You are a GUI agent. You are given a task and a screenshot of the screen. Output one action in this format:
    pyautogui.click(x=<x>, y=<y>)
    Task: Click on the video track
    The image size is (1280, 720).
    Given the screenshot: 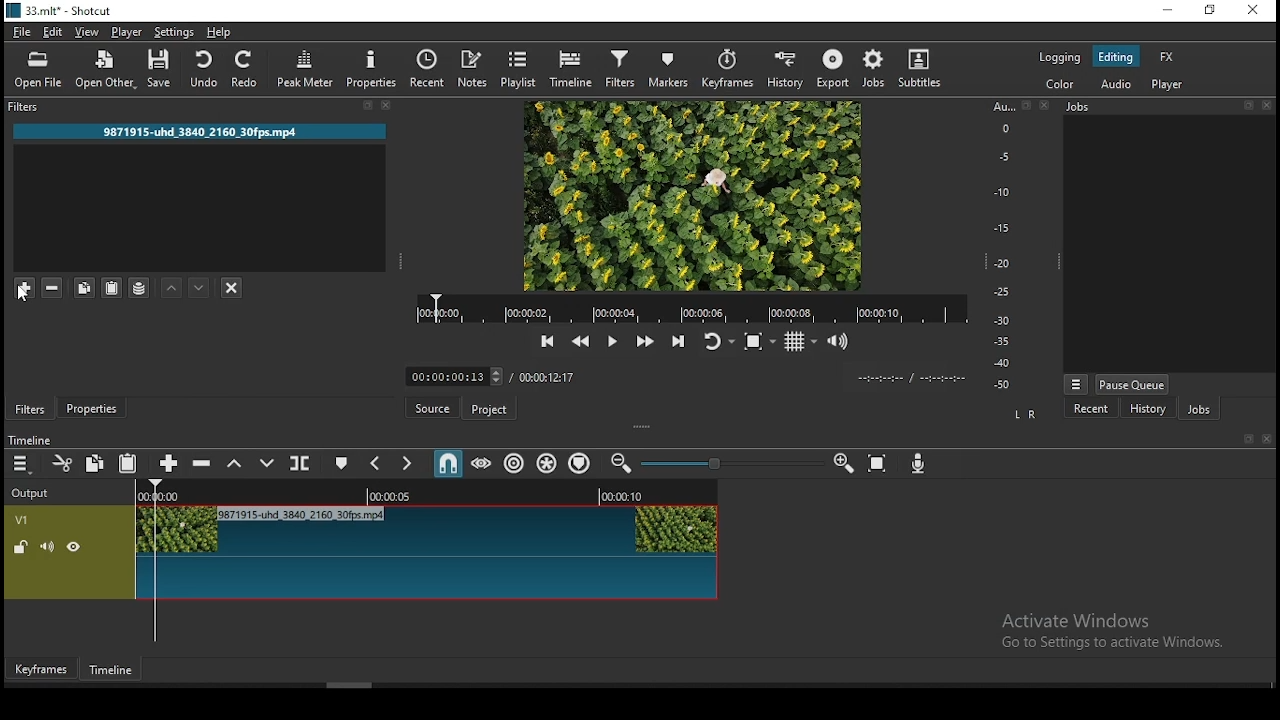 What is the action you would take?
    pyautogui.click(x=367, y=553)
    